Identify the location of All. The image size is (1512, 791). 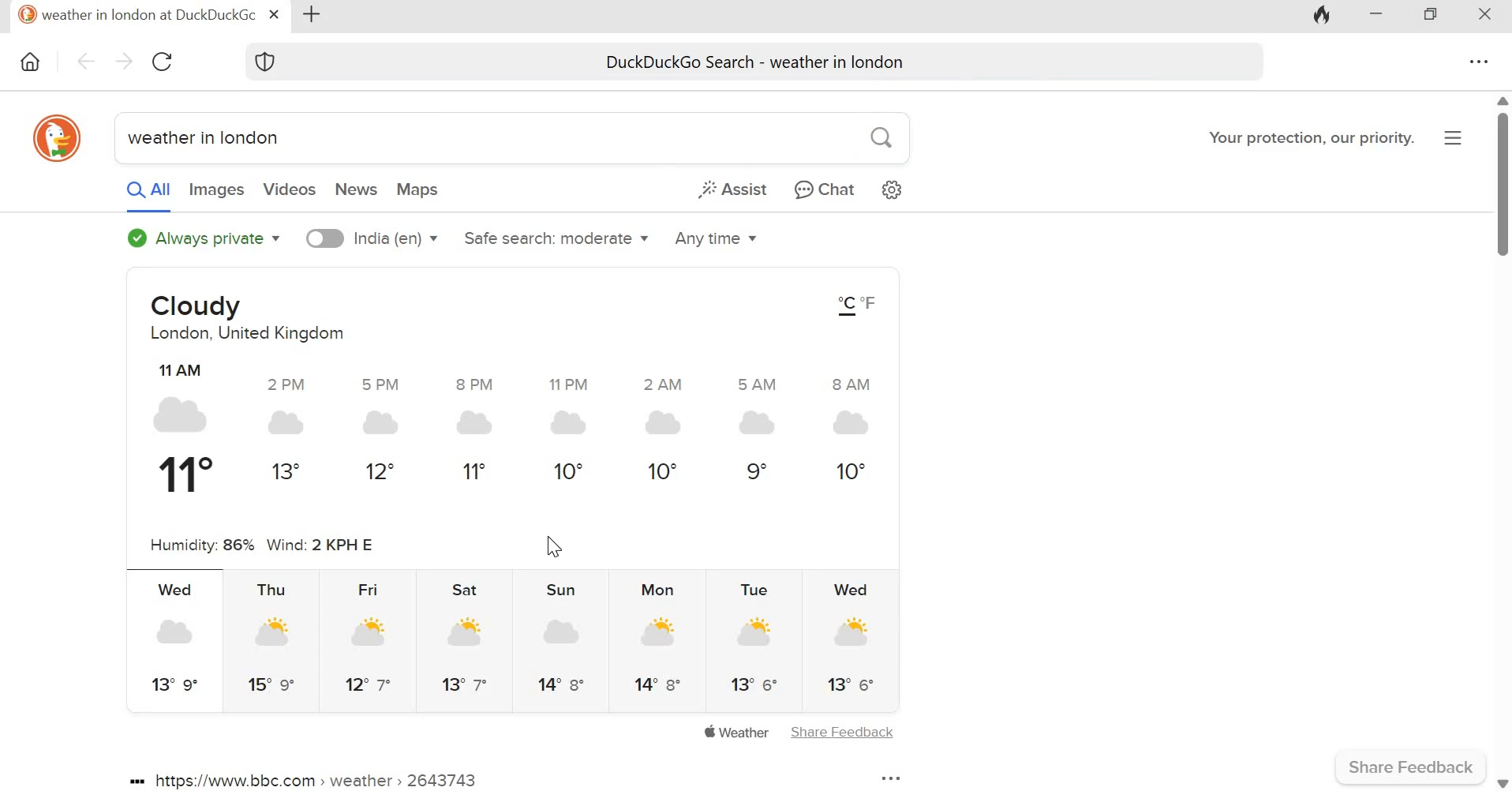
(148, 193).